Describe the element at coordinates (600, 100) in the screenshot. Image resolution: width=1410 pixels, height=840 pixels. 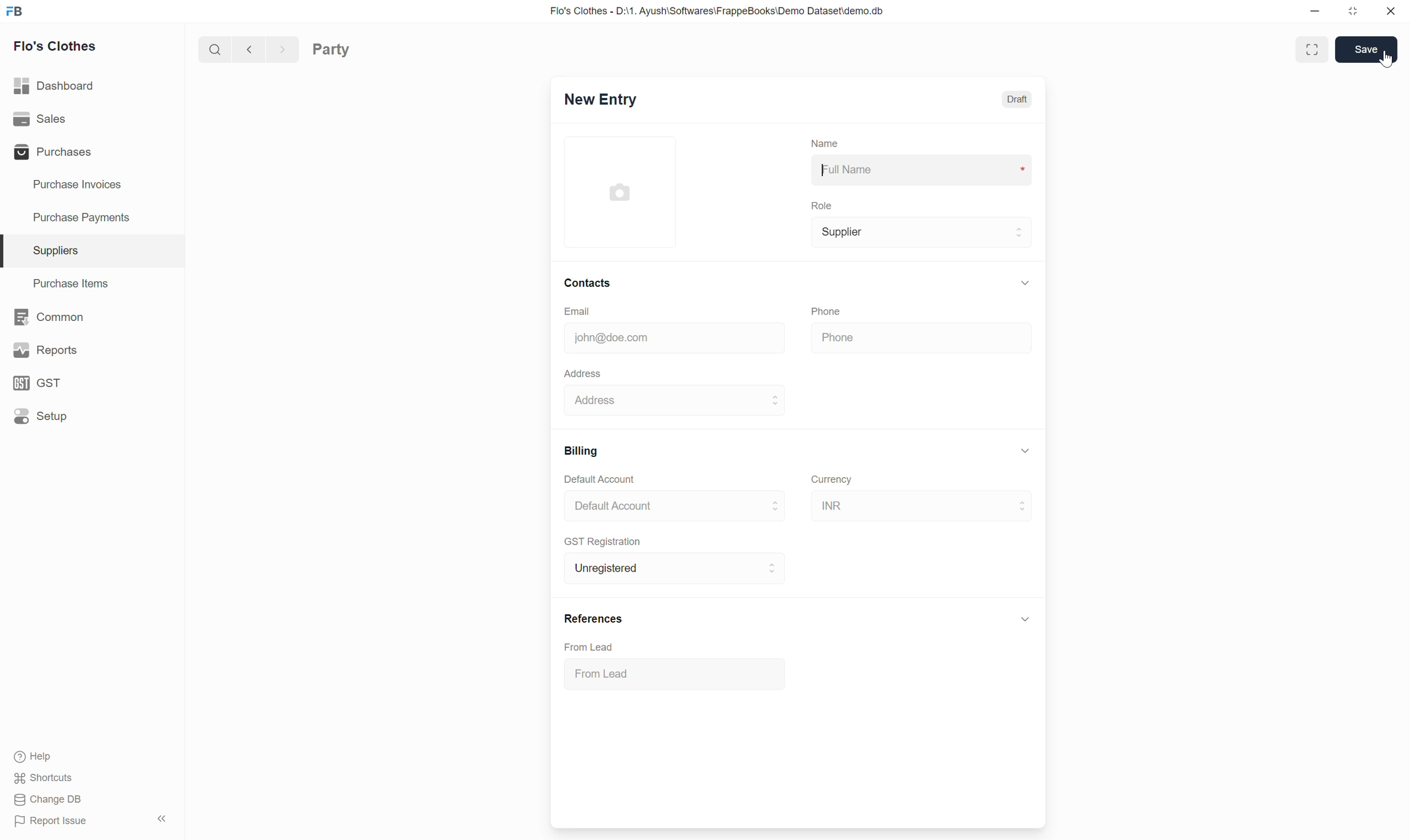
I see `New Entry` at that location.